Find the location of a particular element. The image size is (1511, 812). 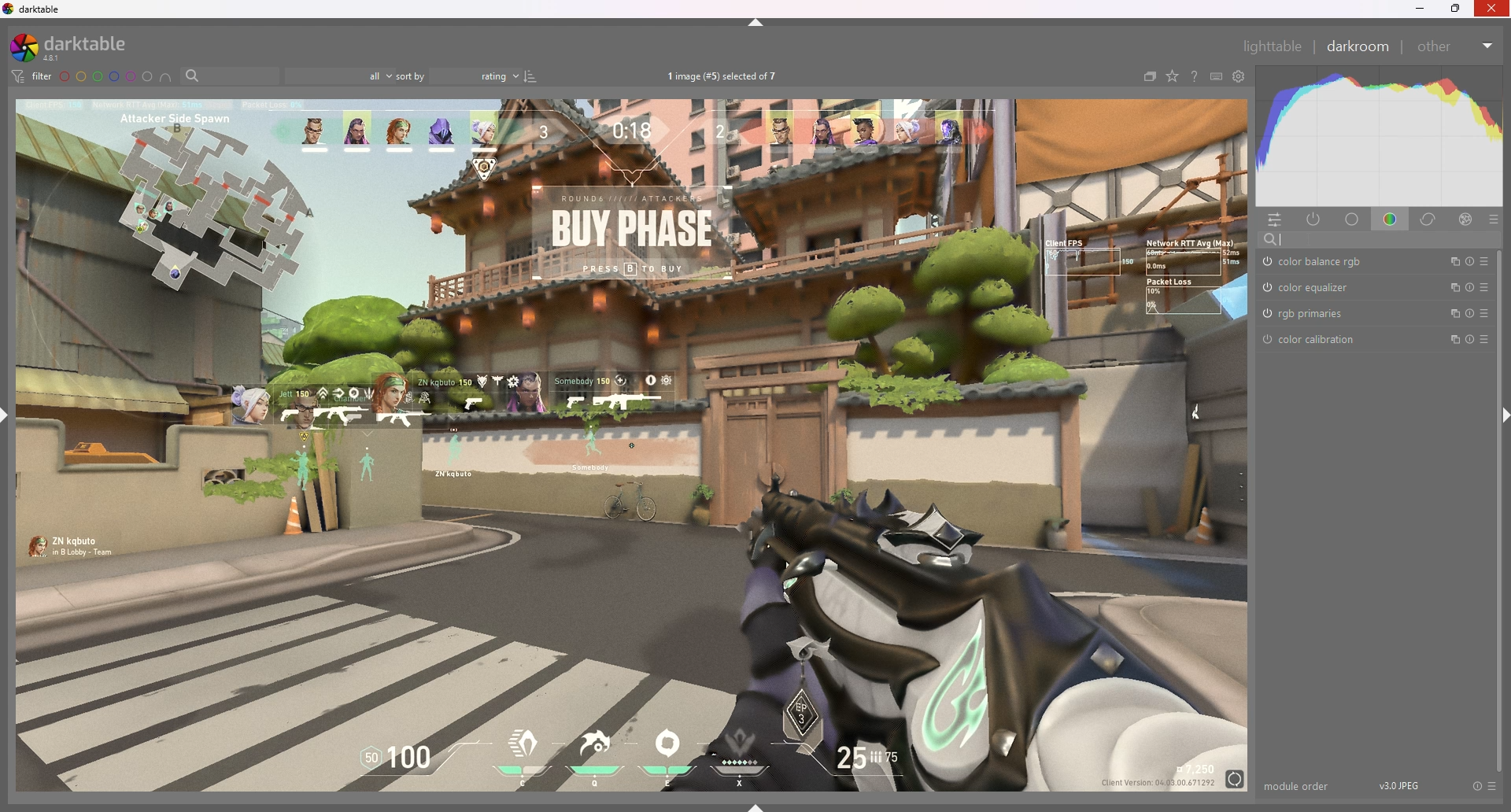

image is located at coordinates (634, 445).